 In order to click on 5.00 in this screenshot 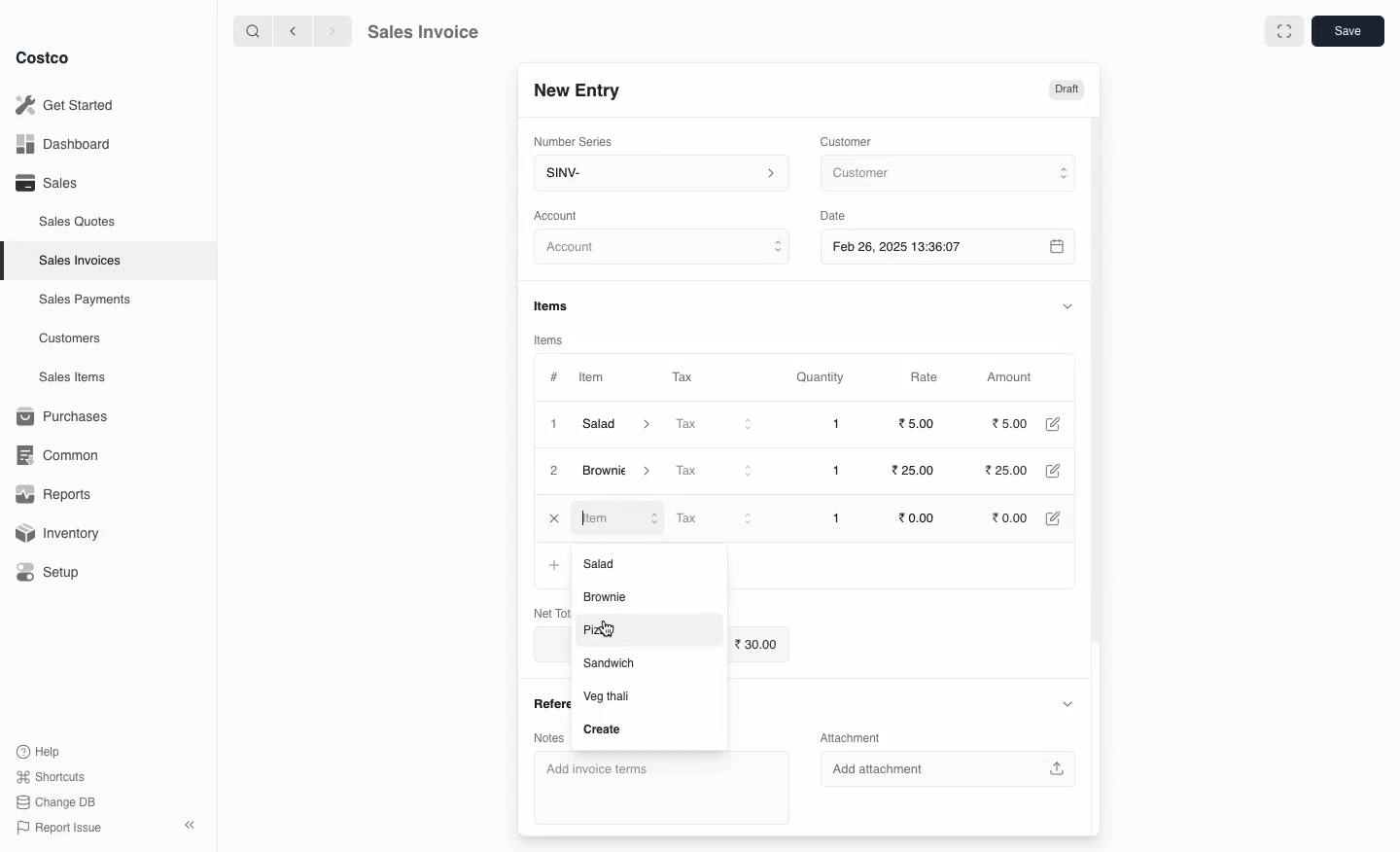, I will do `click(920, 423)`.